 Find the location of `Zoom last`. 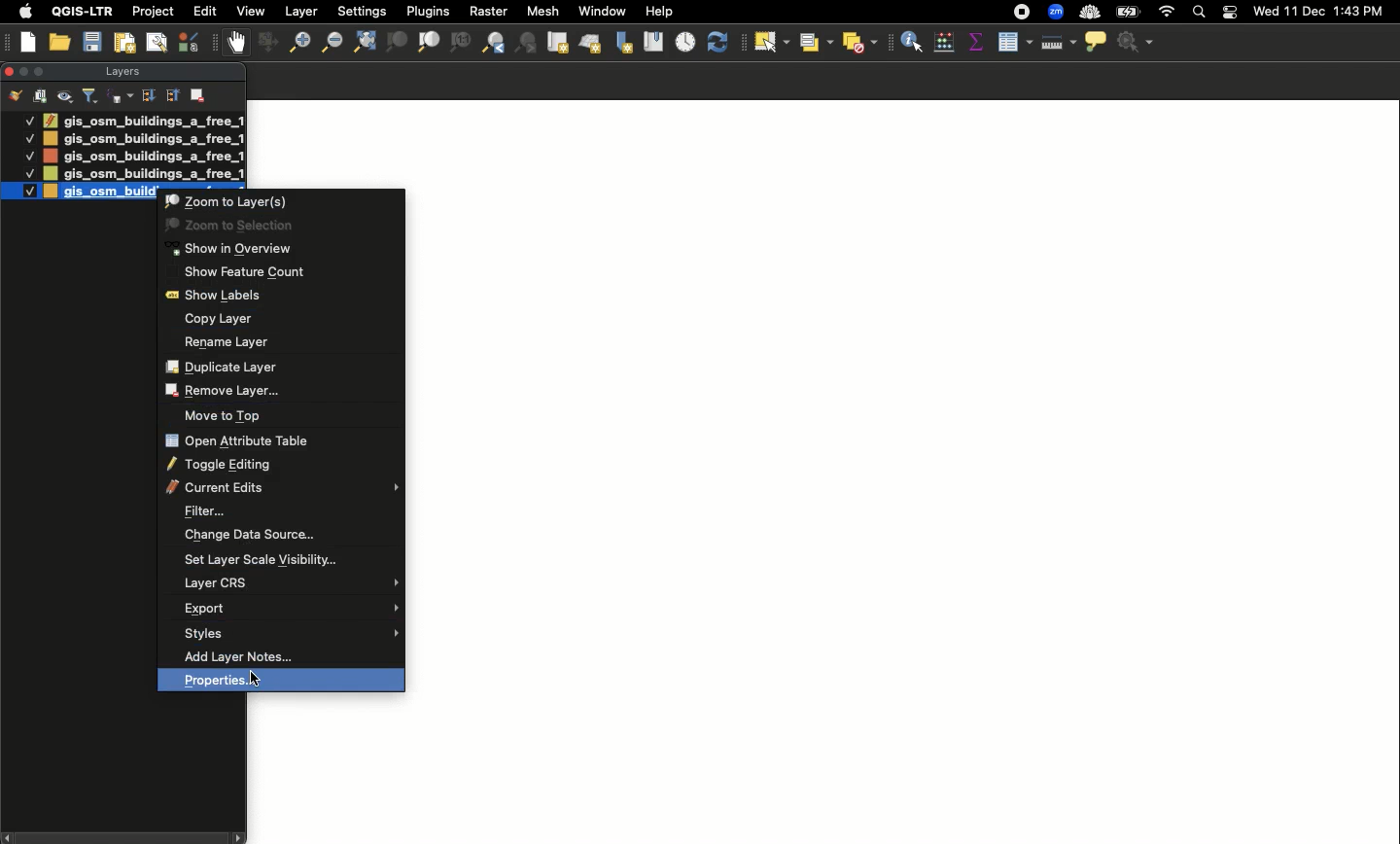

Zoom last is located at coordinates (493, 43).